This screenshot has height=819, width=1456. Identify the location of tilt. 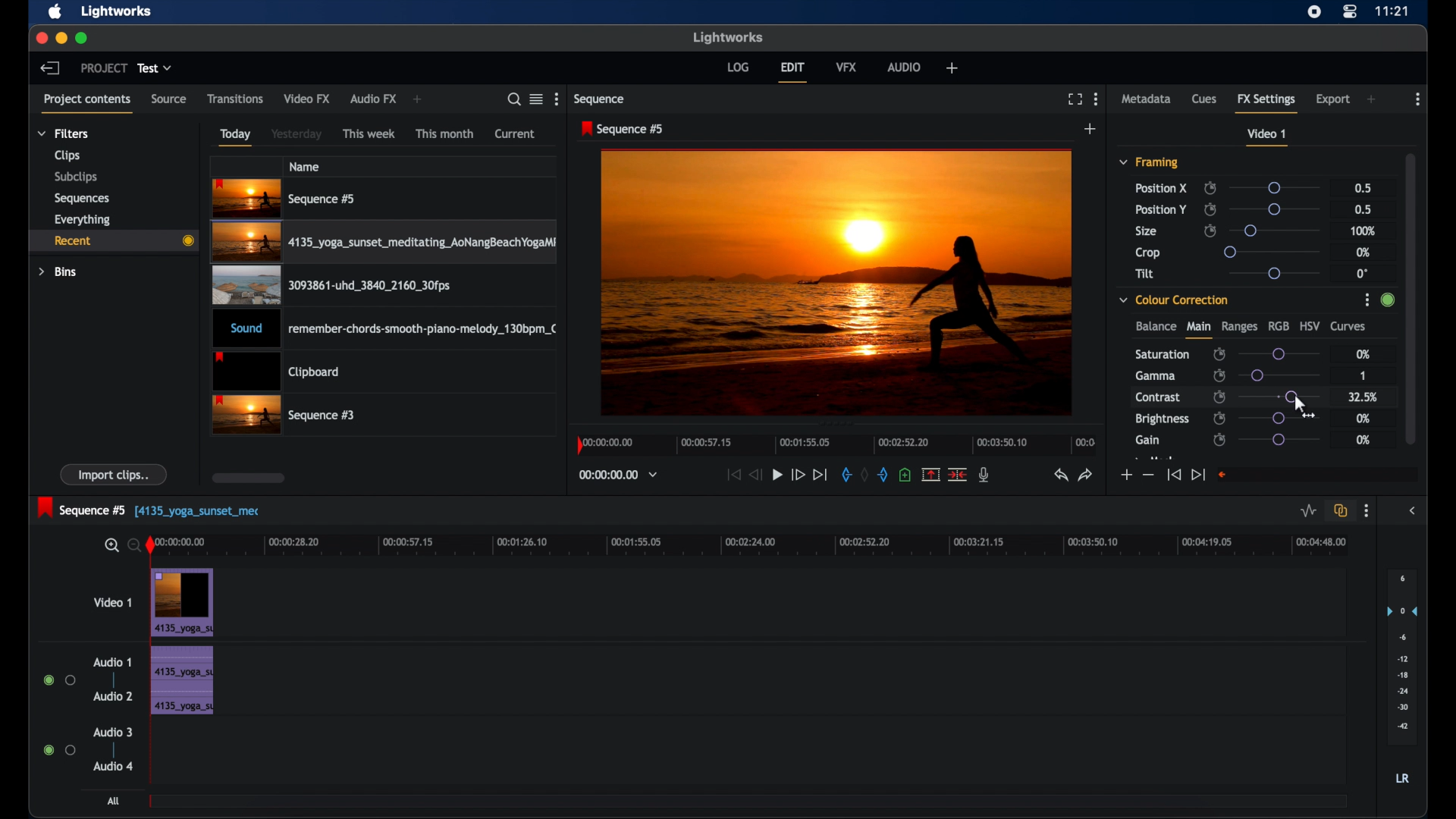
(1145, 274).